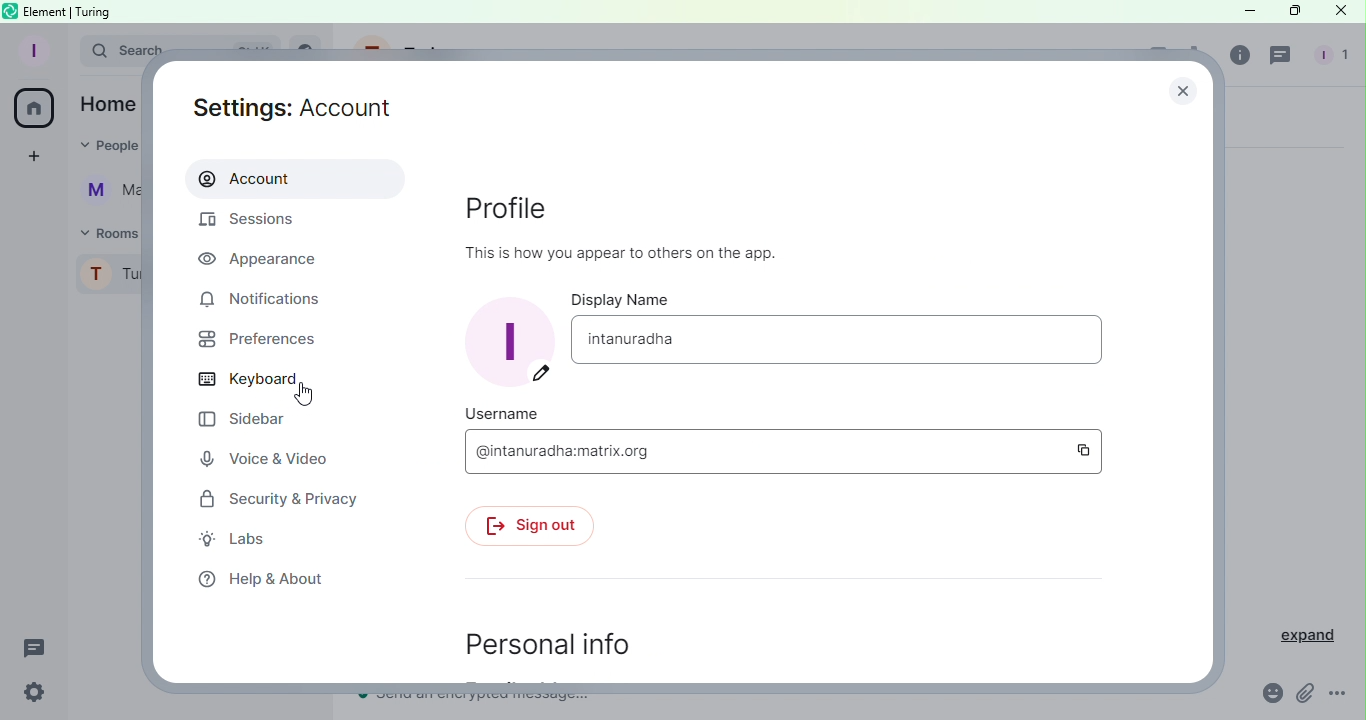 The height and width of the screenshot is (720, 1366). What do you see at coordinates (297, 177) in the screenshot?
I see `Account` at bounding box center [297, 177].